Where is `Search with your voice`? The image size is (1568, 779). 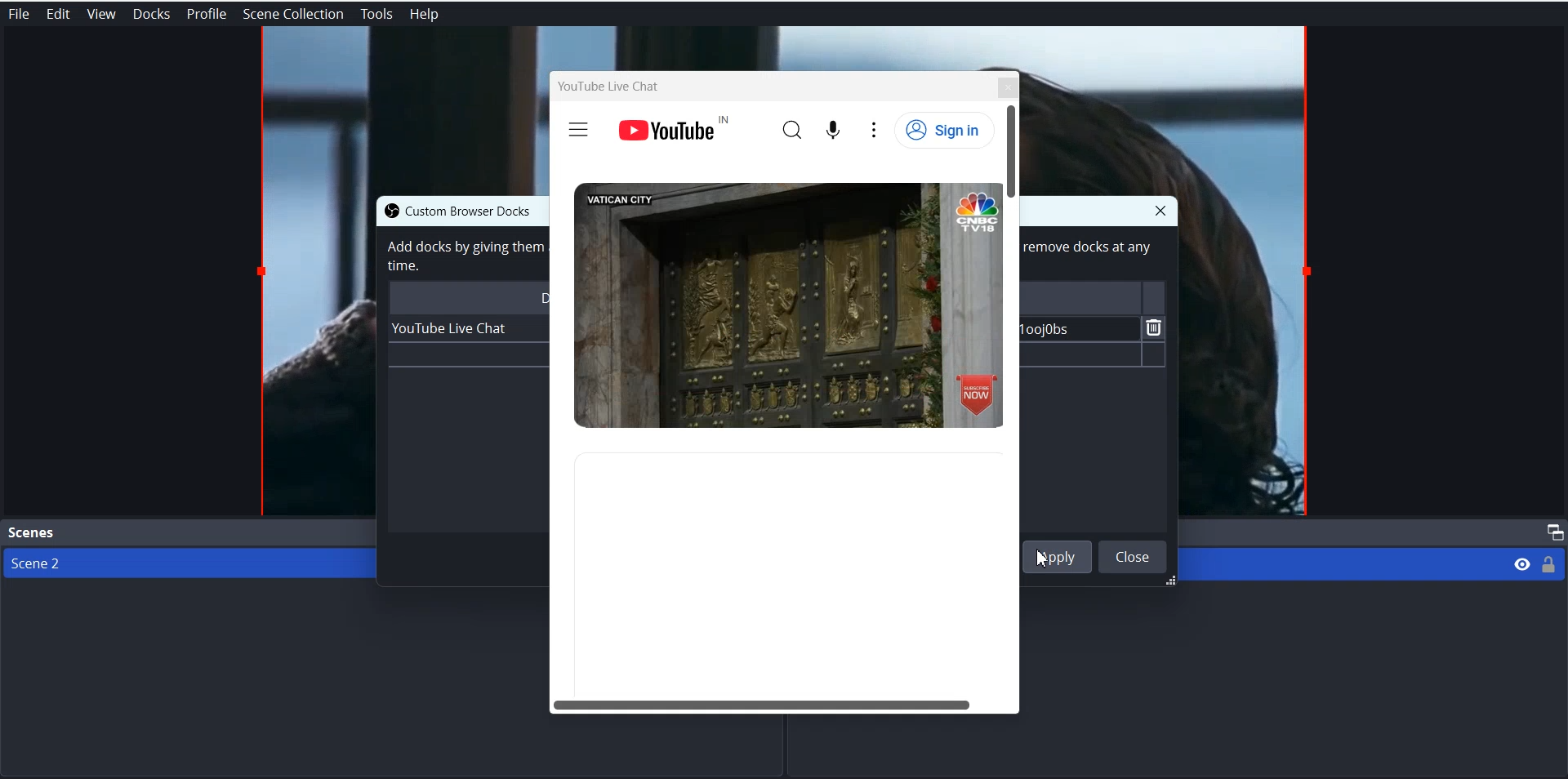
Search with your voice is located at coordinates (835, 127).